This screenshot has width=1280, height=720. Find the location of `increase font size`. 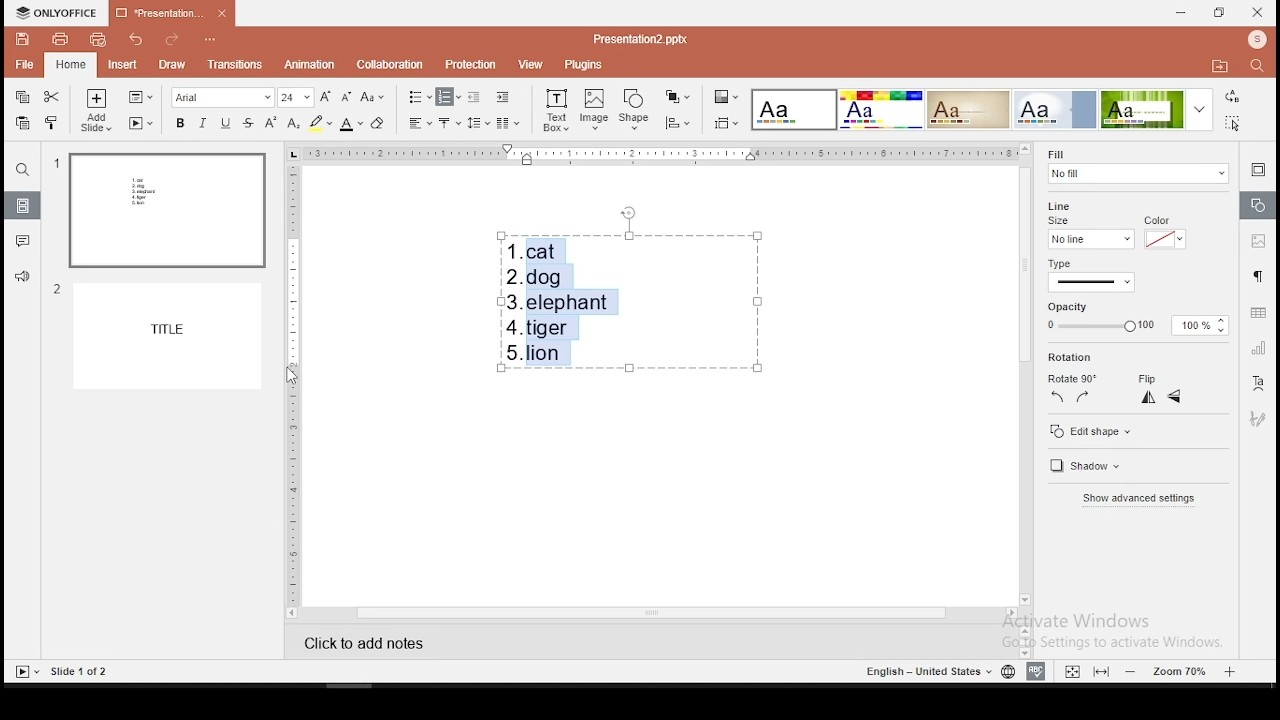

increase font size is located at coordinates (328, 97).